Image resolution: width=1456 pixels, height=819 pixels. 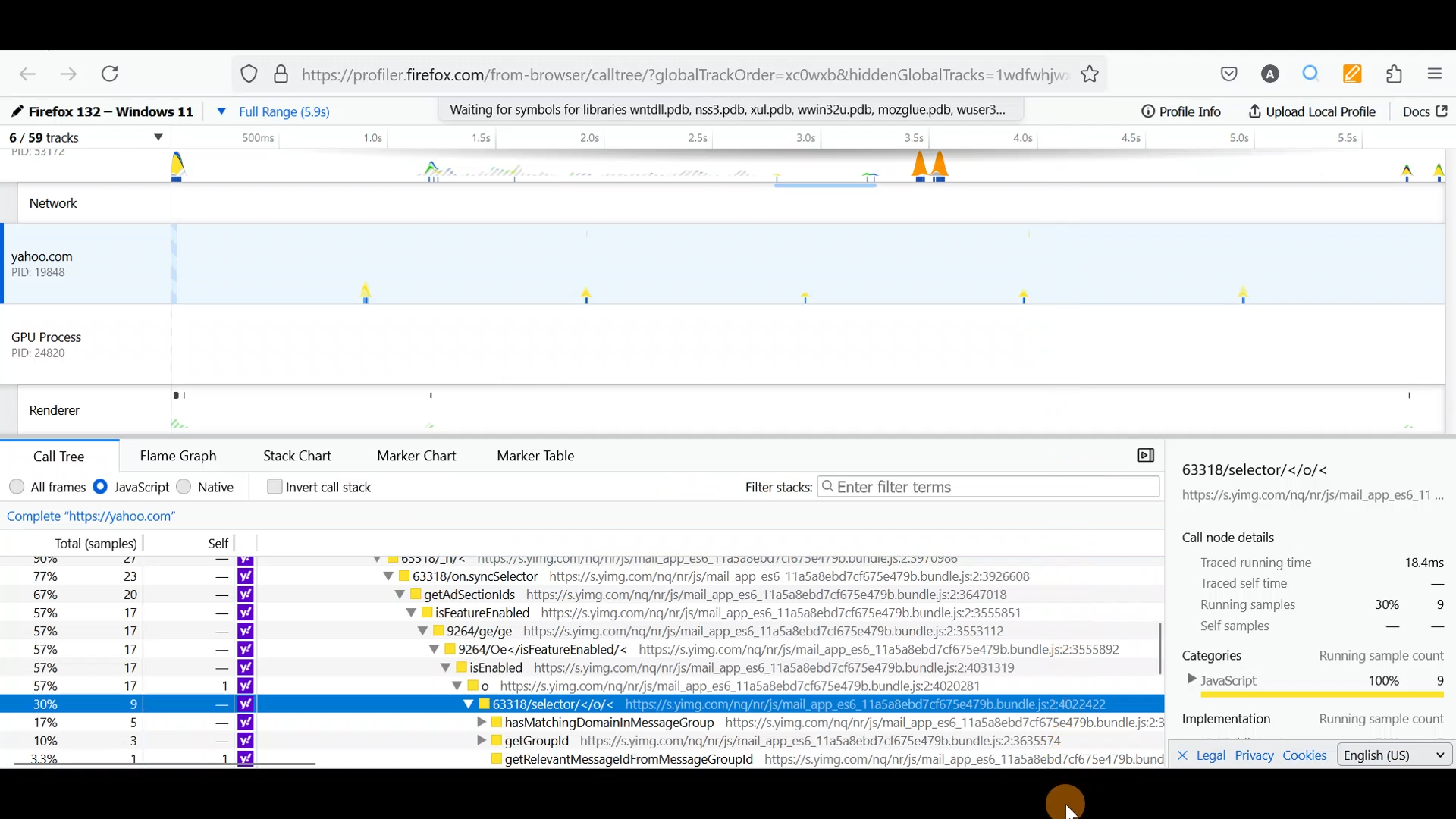 I want to click on Flame Graph, so click(x=177, y=454).